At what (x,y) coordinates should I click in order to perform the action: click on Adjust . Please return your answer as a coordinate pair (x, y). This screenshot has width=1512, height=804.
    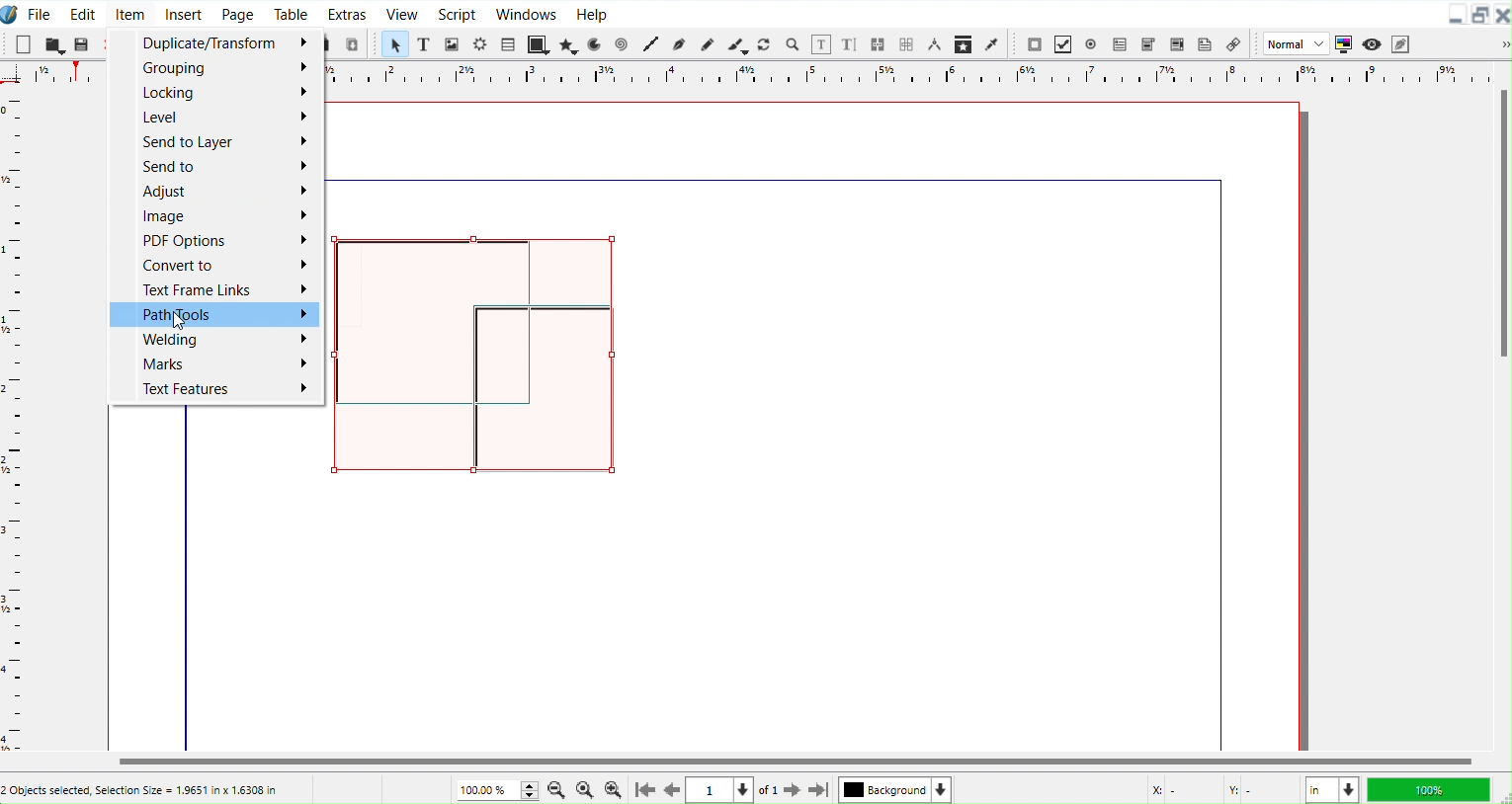
    Looking at the image, I should click on (214, 192).